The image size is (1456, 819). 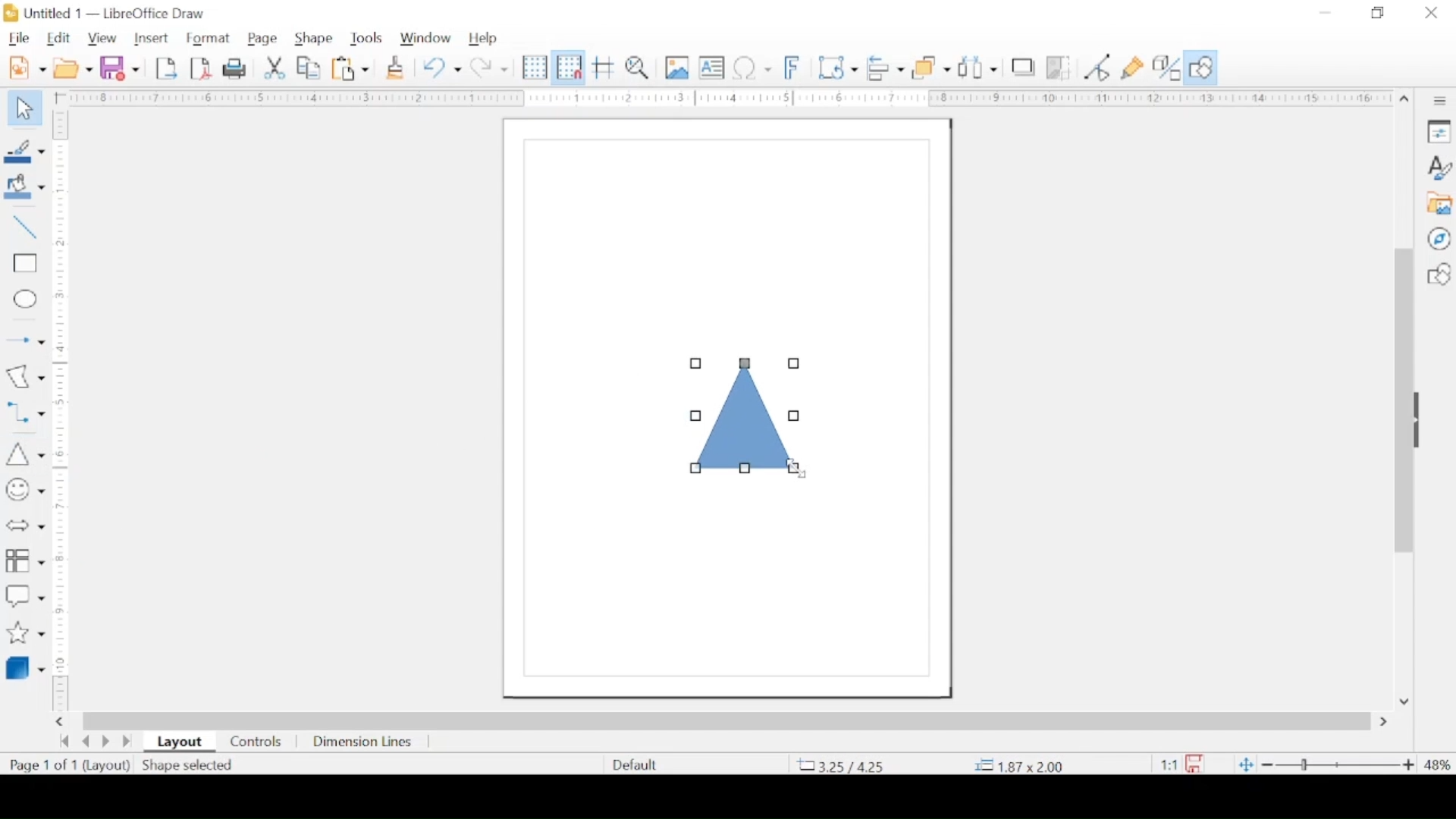 What do you see at coordinates (678, 68) in the screenshot?
I see `insert image` at bounding box center [678, 68].